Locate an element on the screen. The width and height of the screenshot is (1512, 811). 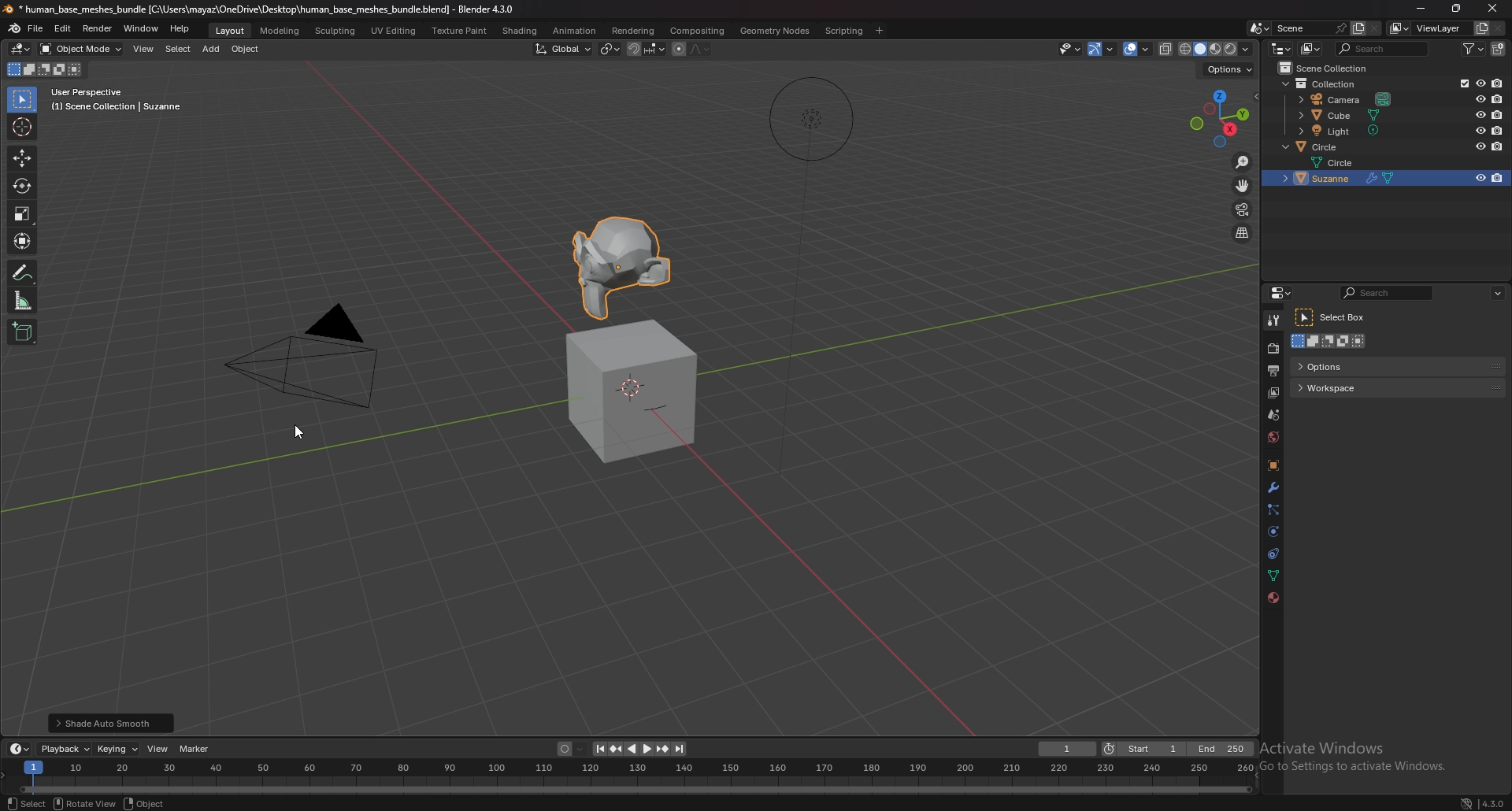
edit is located at coordinates (62, 28).